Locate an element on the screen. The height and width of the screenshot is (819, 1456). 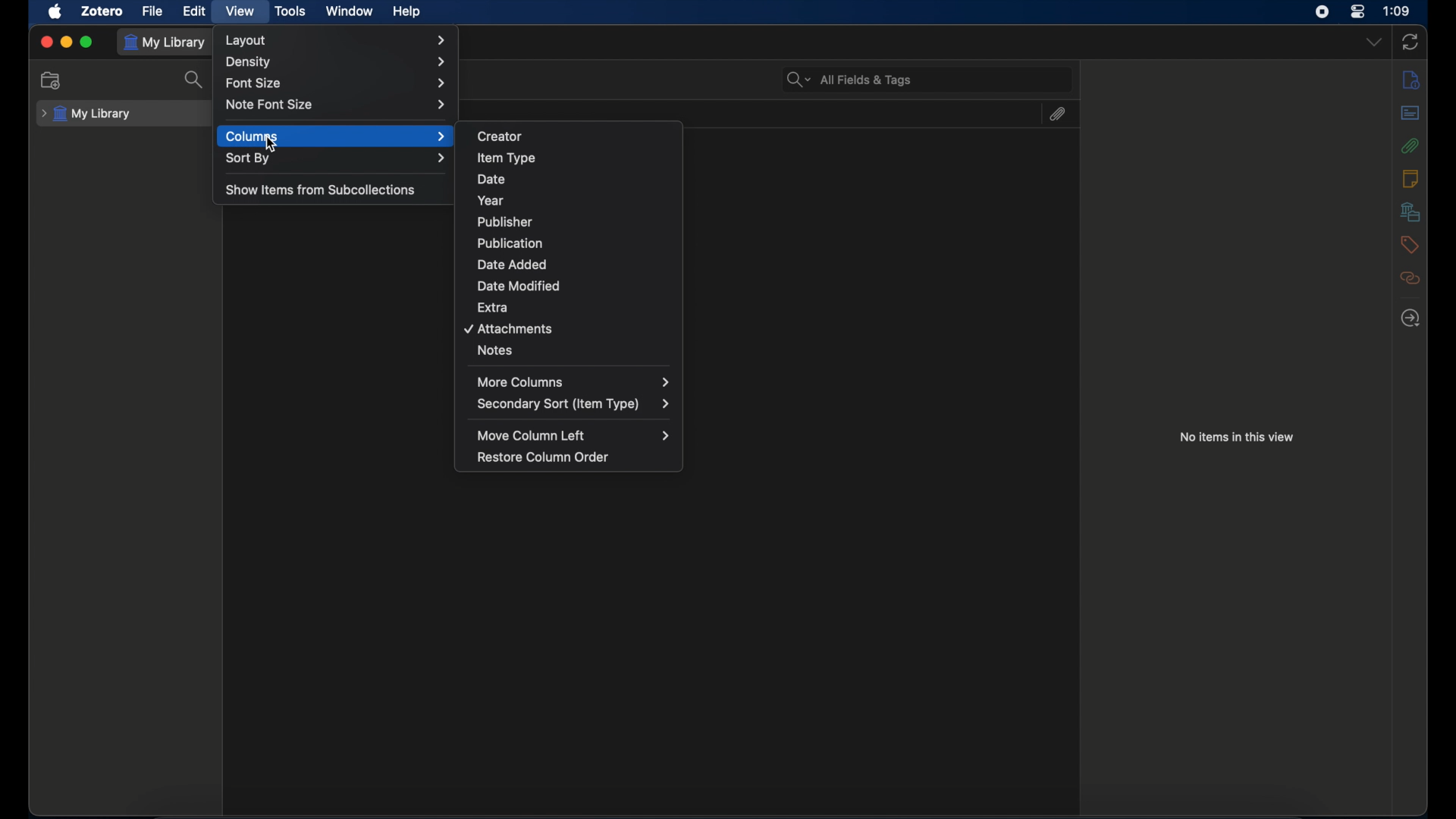
extra is located at coordinates (494, 306).